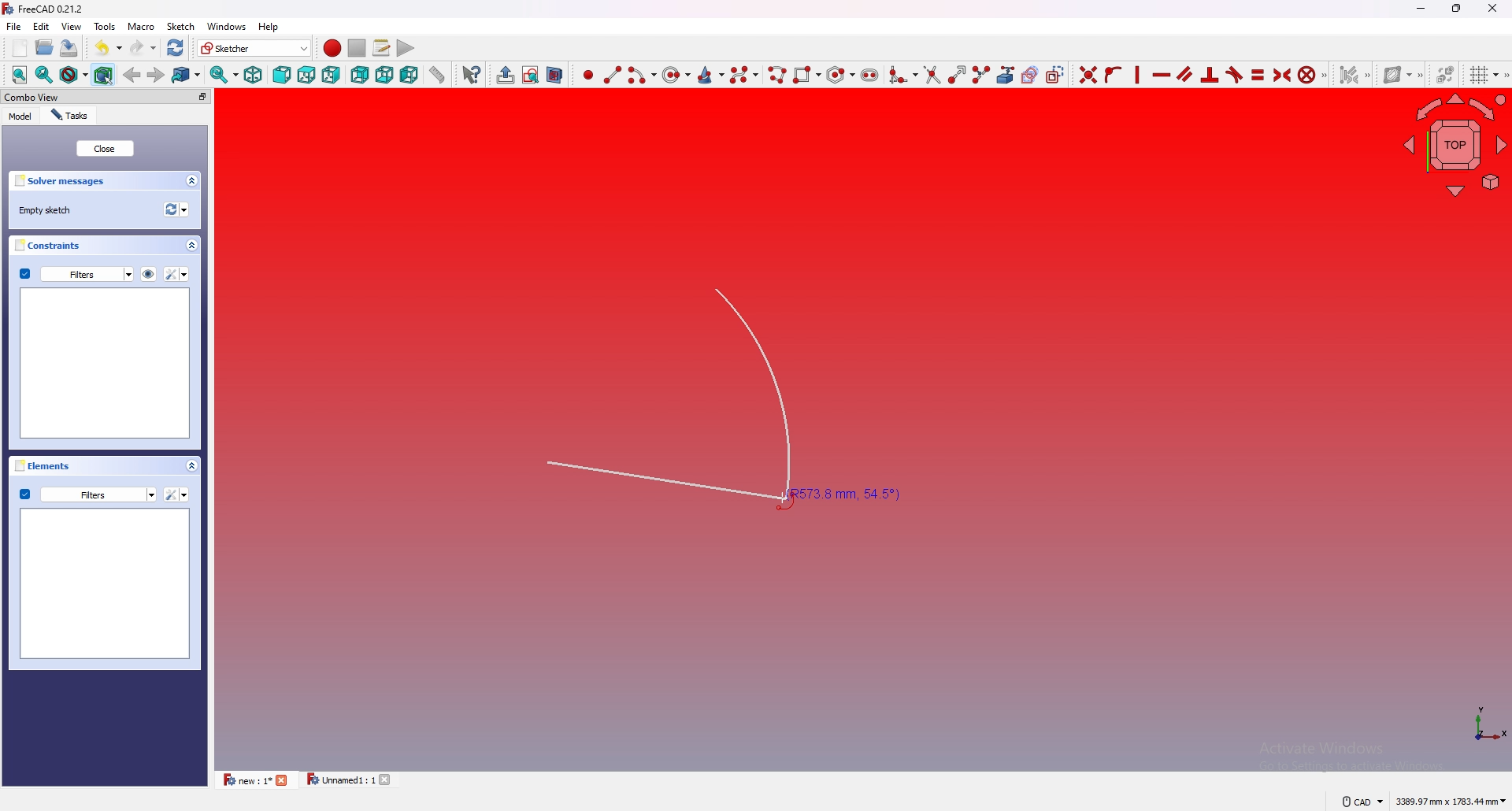  What do you see at coordinates (20, 117) in the screenshot?
I see `model` at bounding box center [20, 117].